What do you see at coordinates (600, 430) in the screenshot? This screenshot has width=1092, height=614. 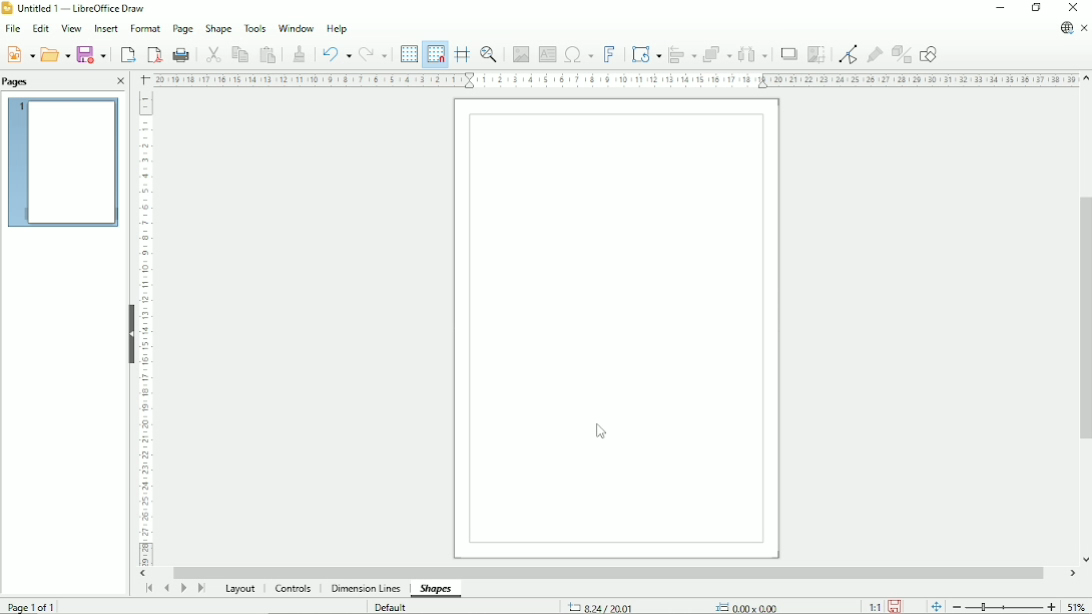 I see `Cursor` at bounding box center [600, 430].